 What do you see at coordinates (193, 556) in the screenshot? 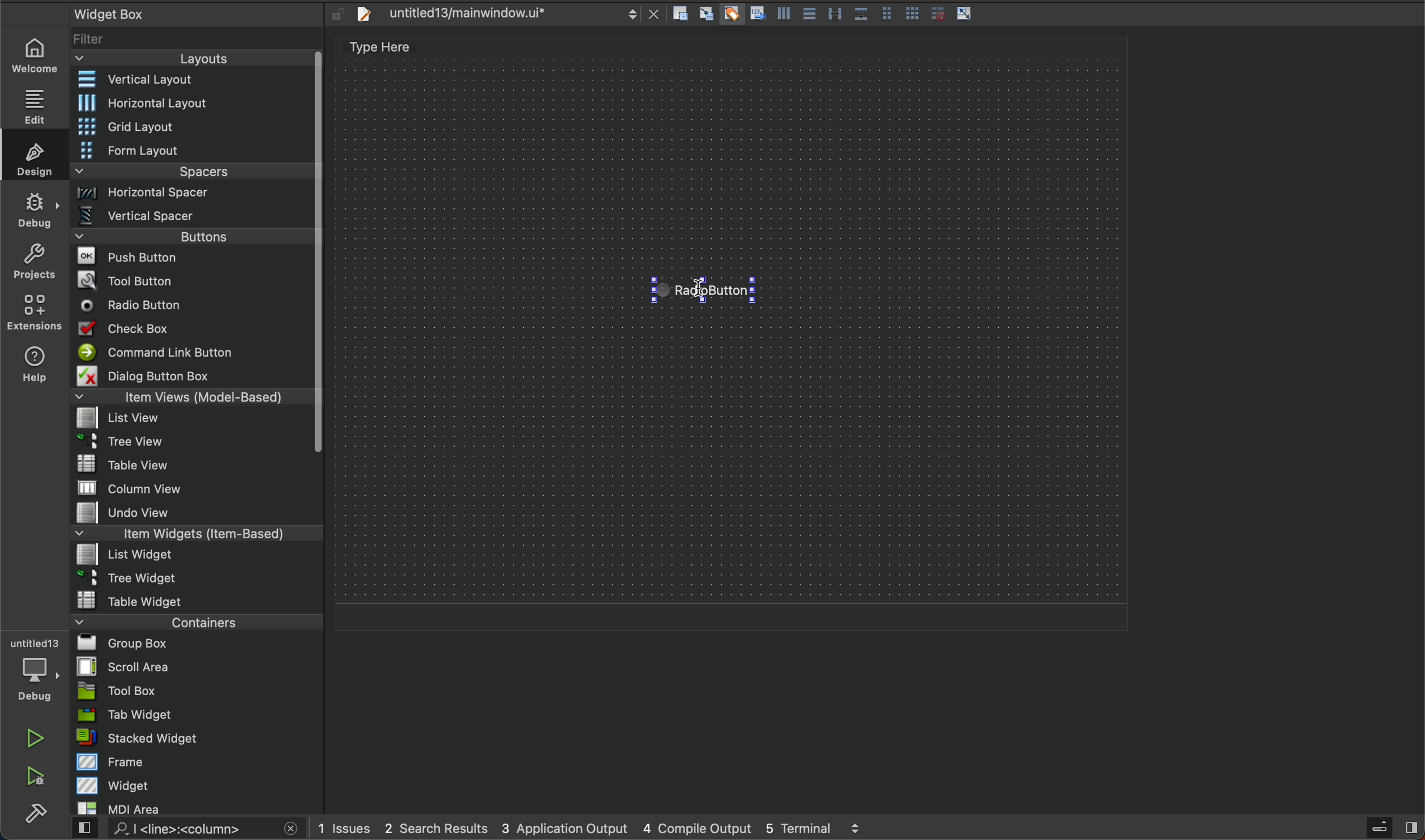
I see `` at bounding box center [193, 556].